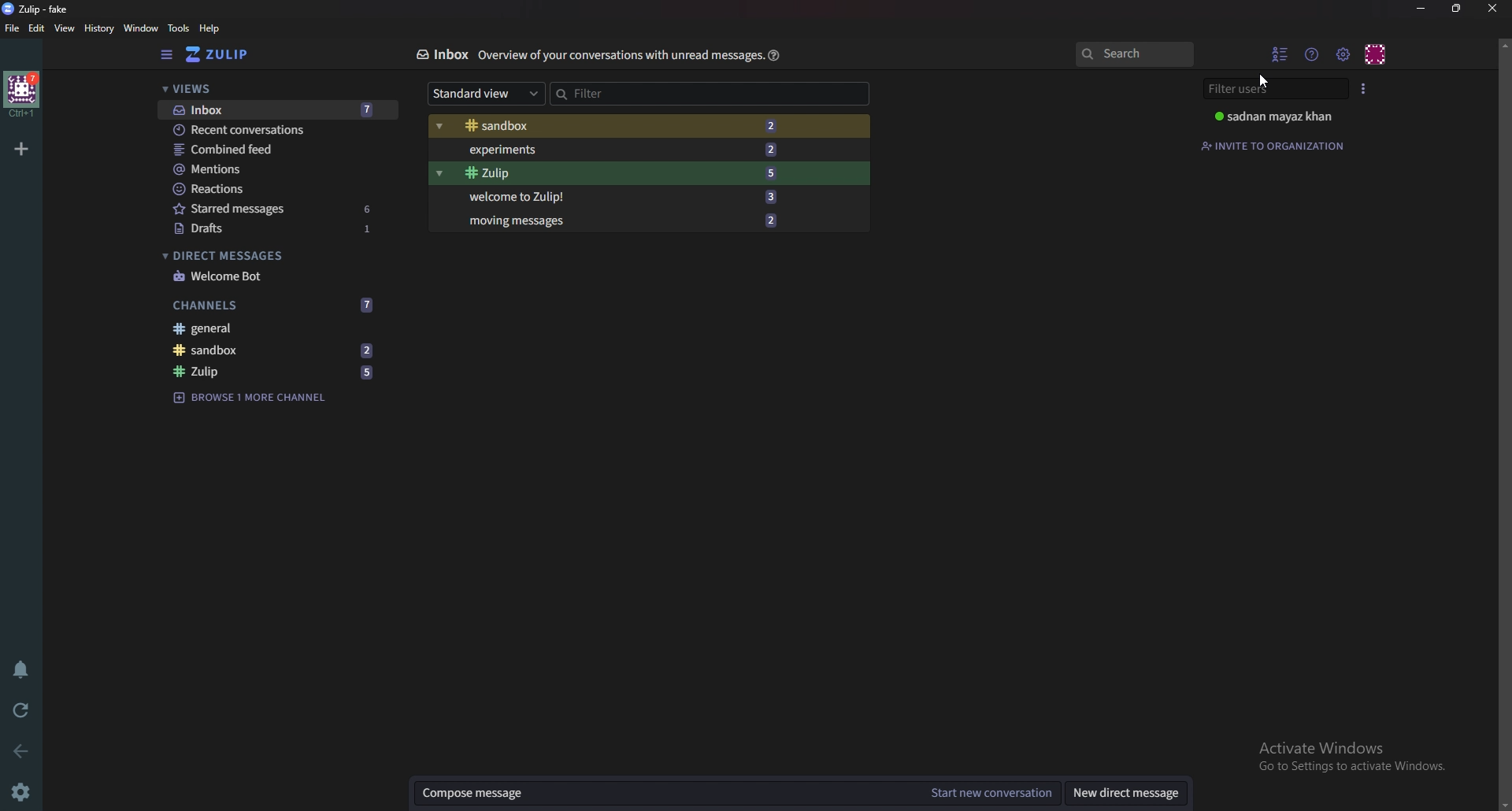  Describe the element at coordinates (179, 29) in the screenshot. I see `Tools` at that location.